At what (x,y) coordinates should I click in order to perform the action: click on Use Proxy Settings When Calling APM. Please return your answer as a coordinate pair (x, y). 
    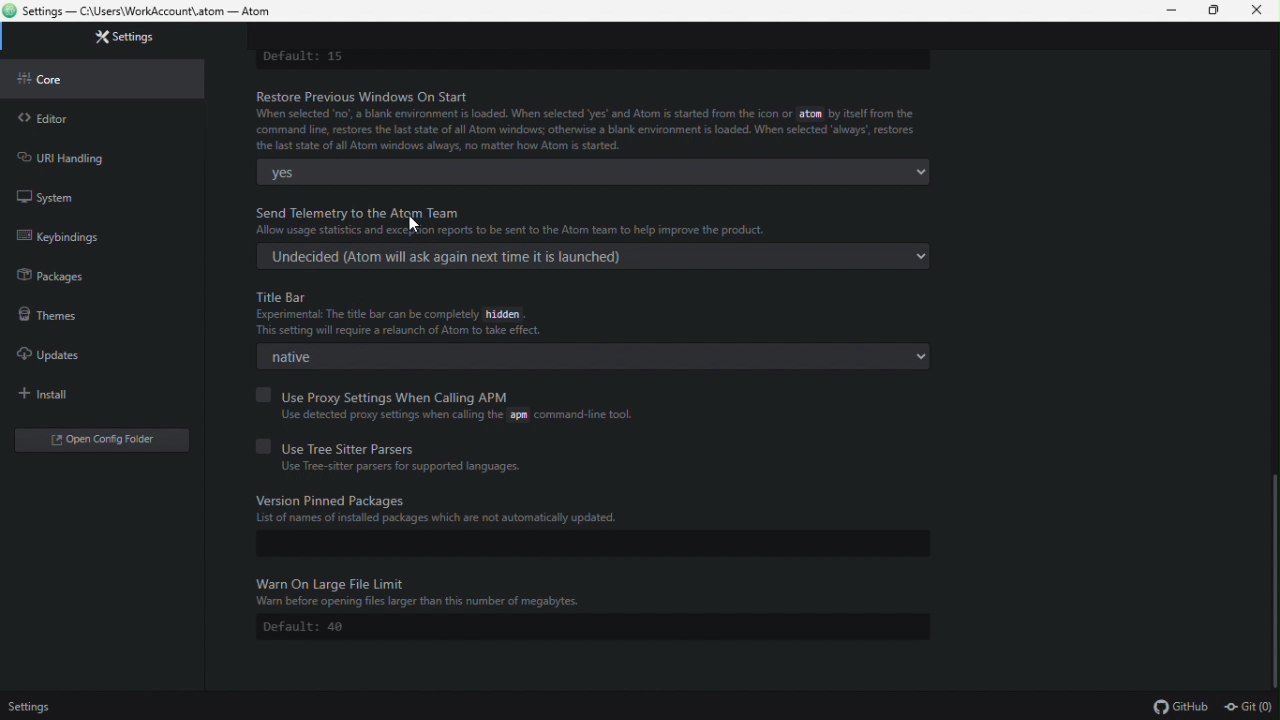
    Looking at the image, I should click on (385, 393).